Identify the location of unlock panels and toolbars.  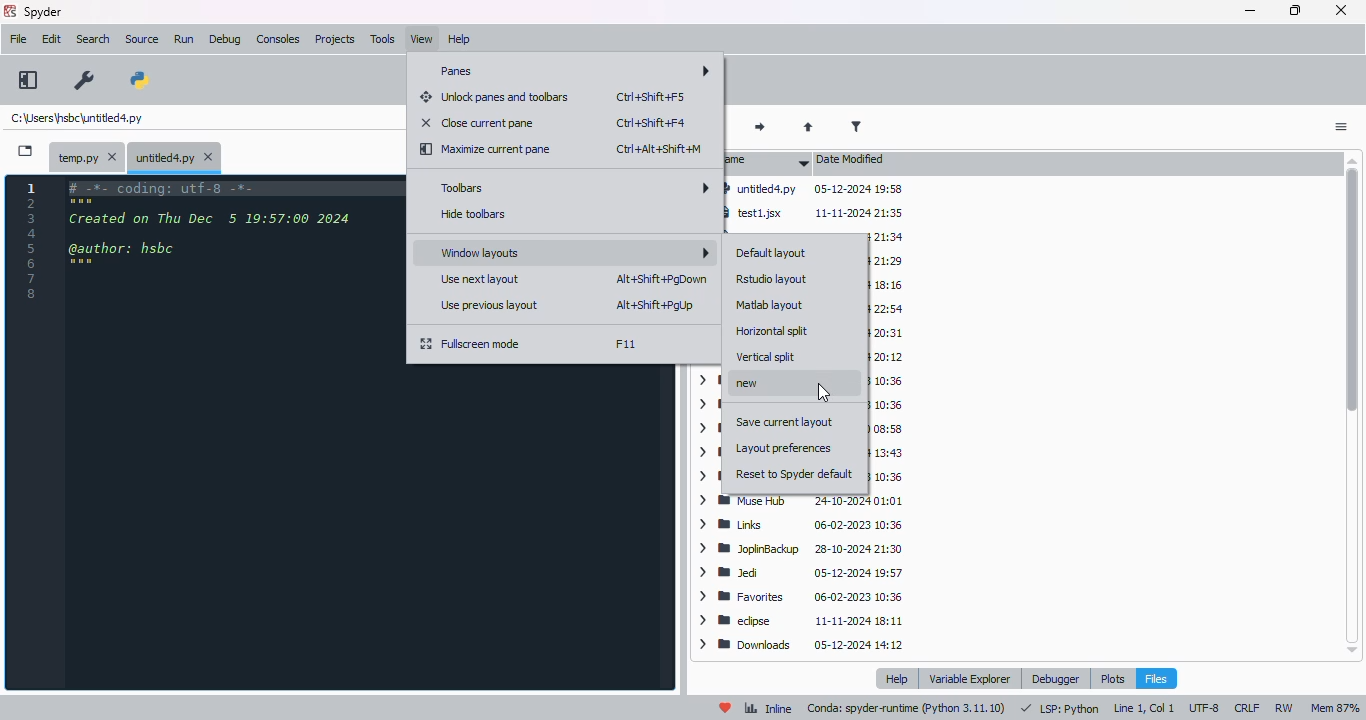
(495, 97).